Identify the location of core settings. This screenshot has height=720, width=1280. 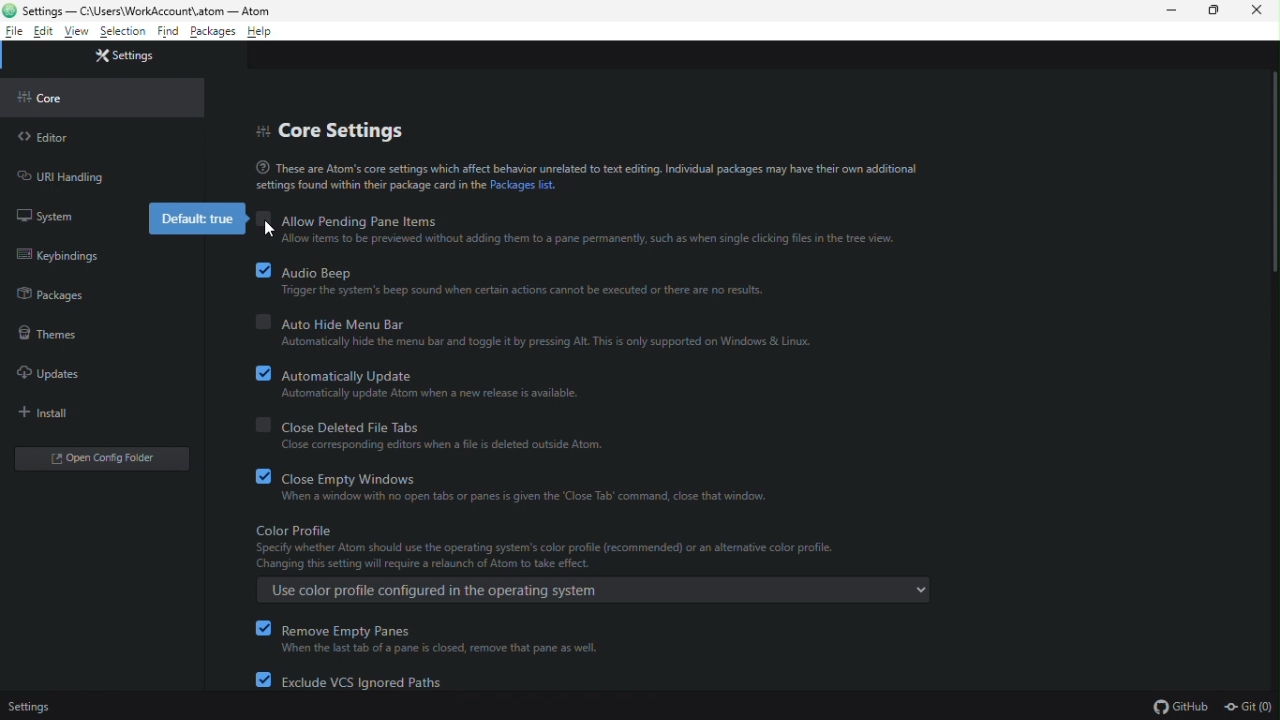
(334, 131).